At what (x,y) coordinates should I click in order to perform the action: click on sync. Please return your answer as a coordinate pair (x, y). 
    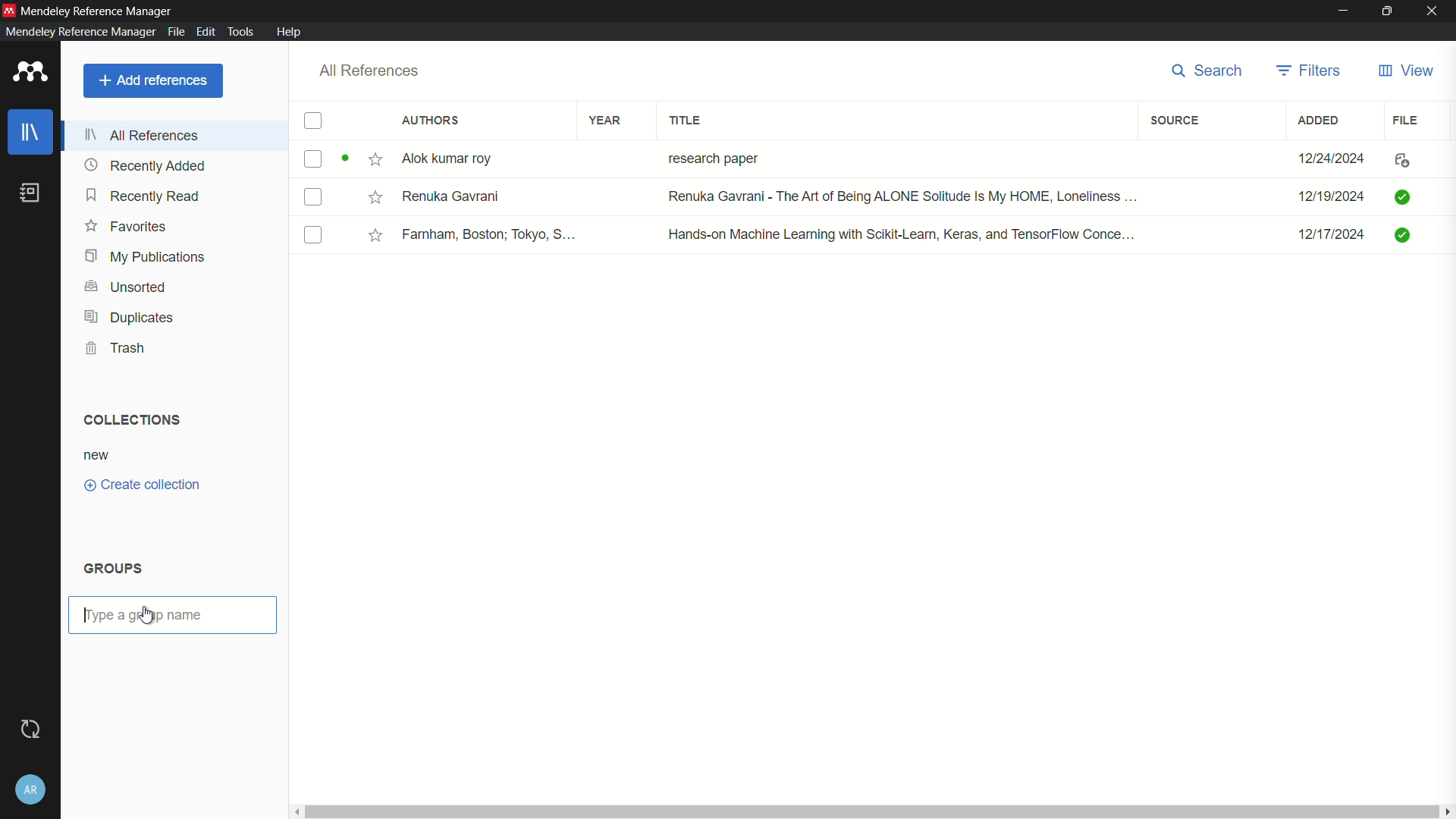
    Looking at the image, I should click on (29, 730).